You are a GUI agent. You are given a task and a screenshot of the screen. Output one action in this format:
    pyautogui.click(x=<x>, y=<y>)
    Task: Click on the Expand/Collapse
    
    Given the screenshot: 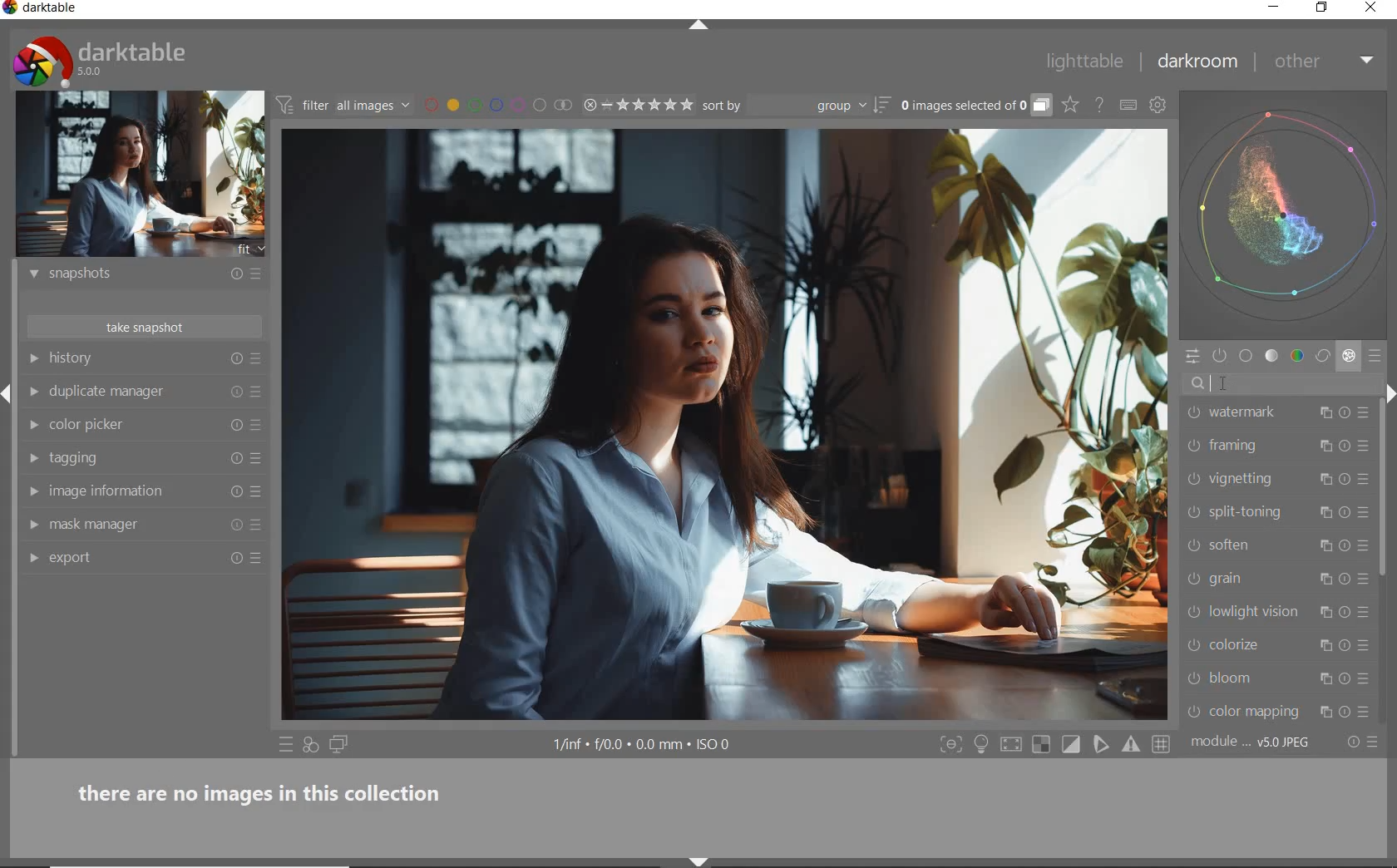 What is the action you would take?
    pyautogui.click(x=8, y=389)
    